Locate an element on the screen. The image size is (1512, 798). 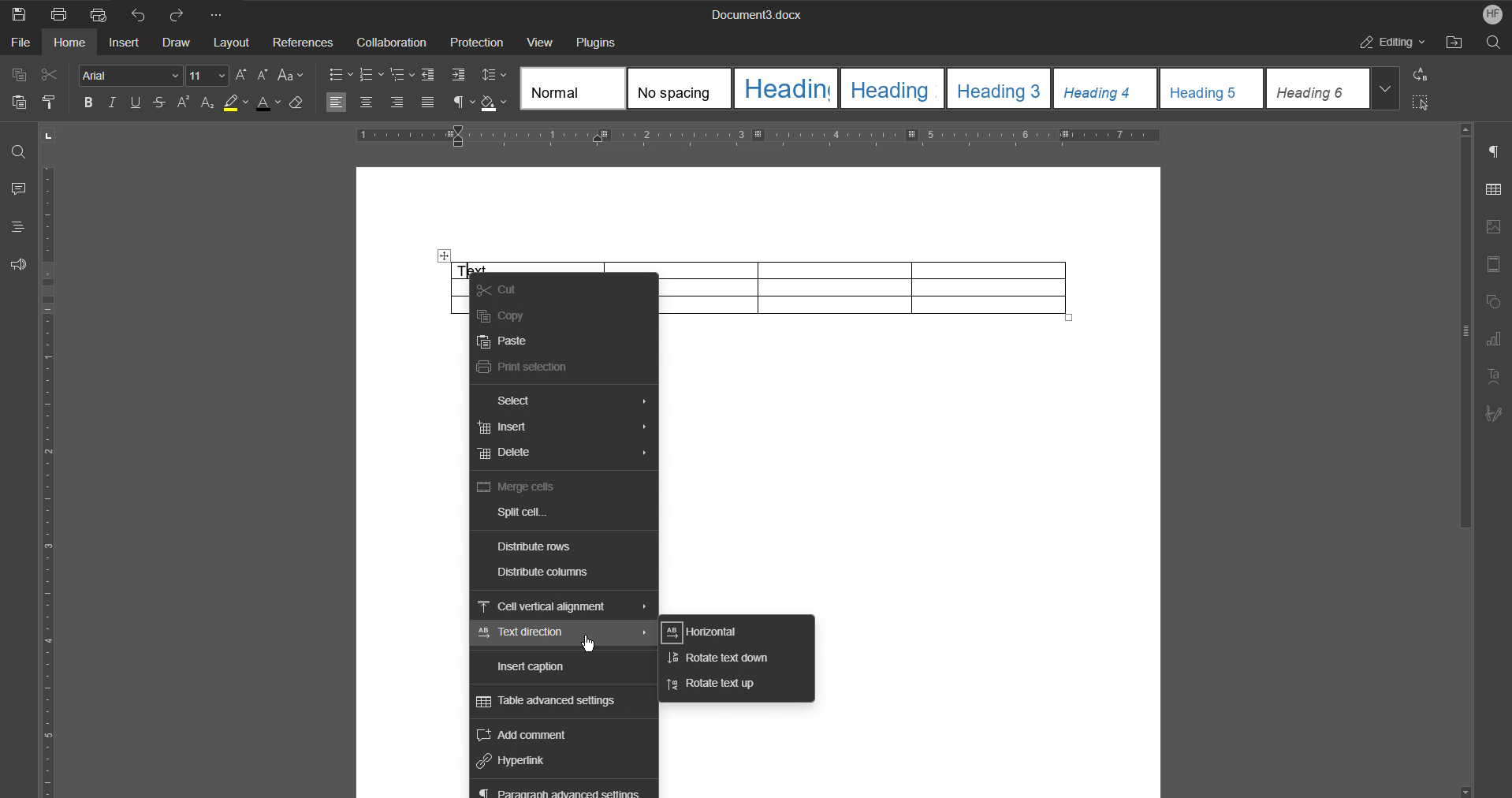
Shape Settings is located at coordinates (1495, 300).